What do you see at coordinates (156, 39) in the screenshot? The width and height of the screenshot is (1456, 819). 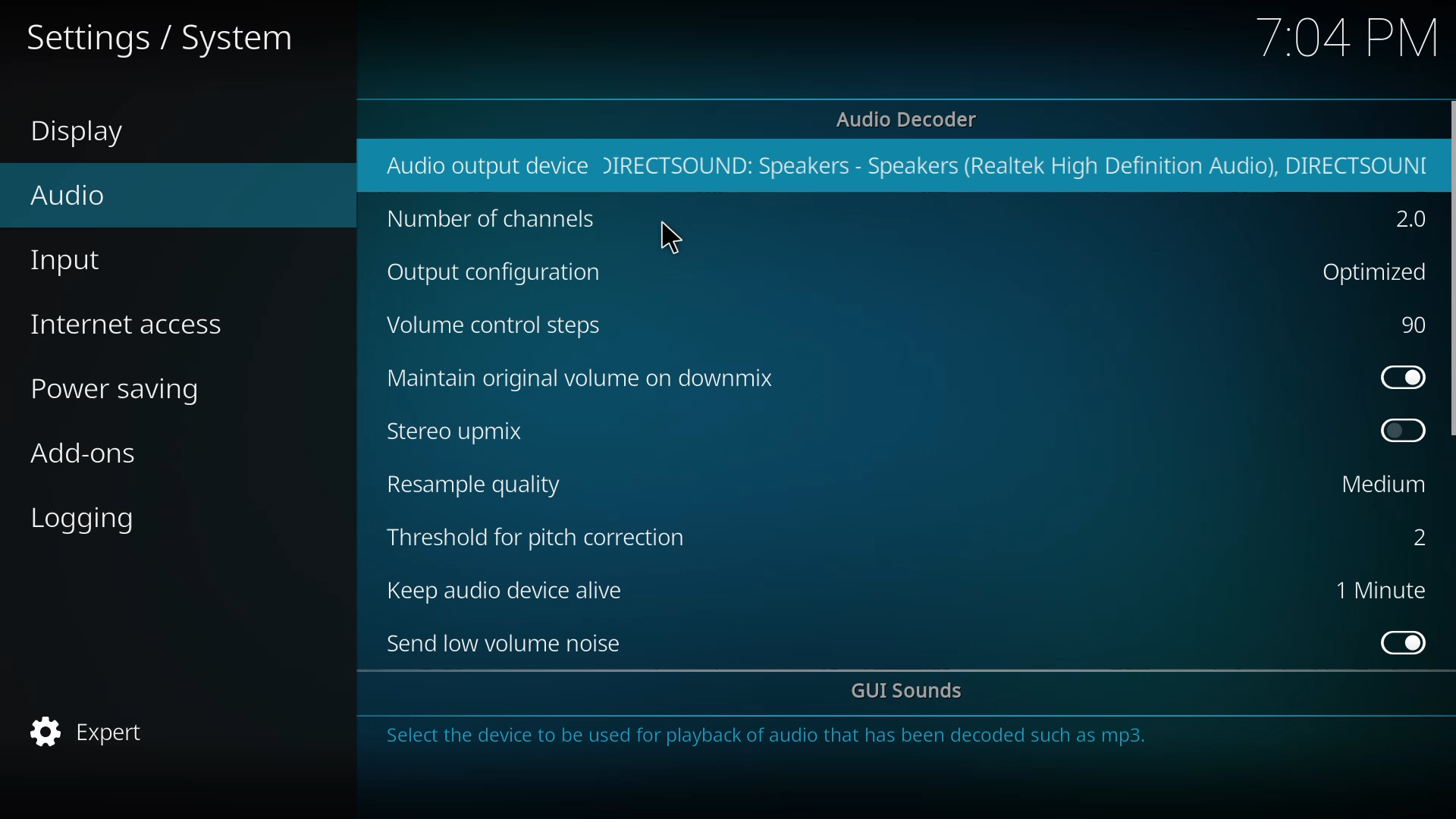 I see `settings/system` at bounding box center [156, 39].